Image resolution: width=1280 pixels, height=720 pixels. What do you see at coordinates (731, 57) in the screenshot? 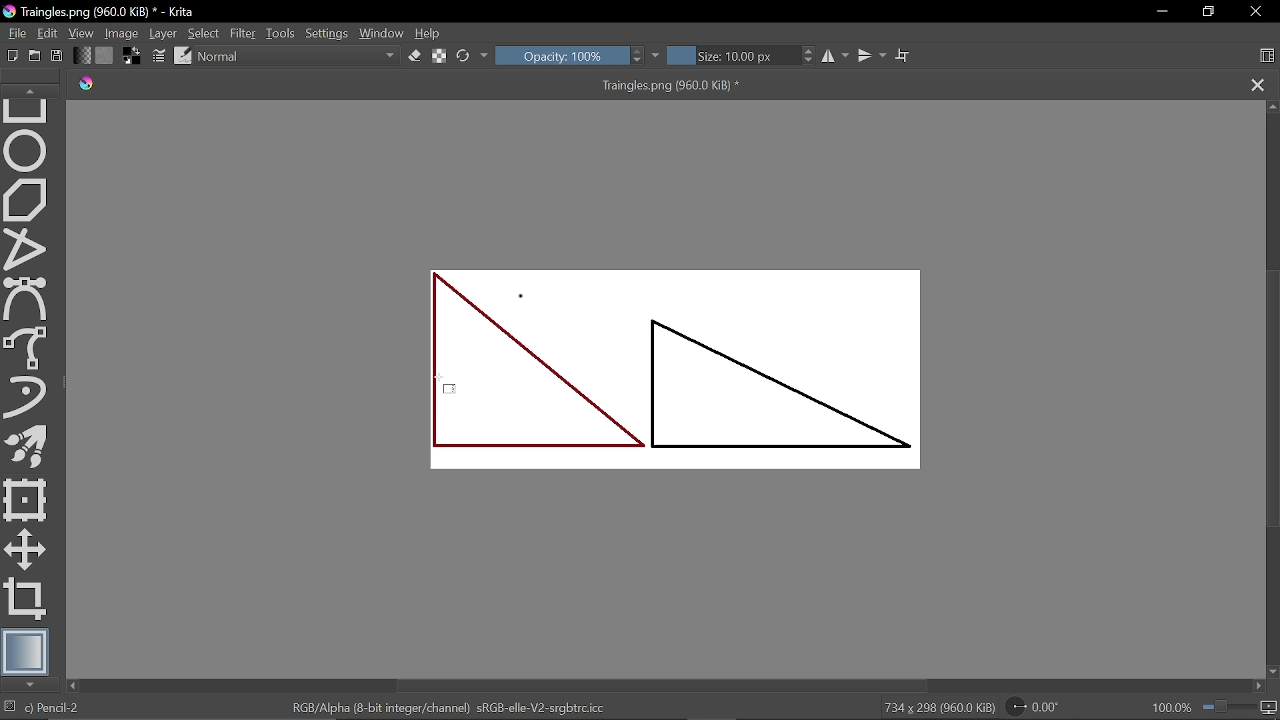
I see `Size: 10.00 px` at bounding box center [731, 57].